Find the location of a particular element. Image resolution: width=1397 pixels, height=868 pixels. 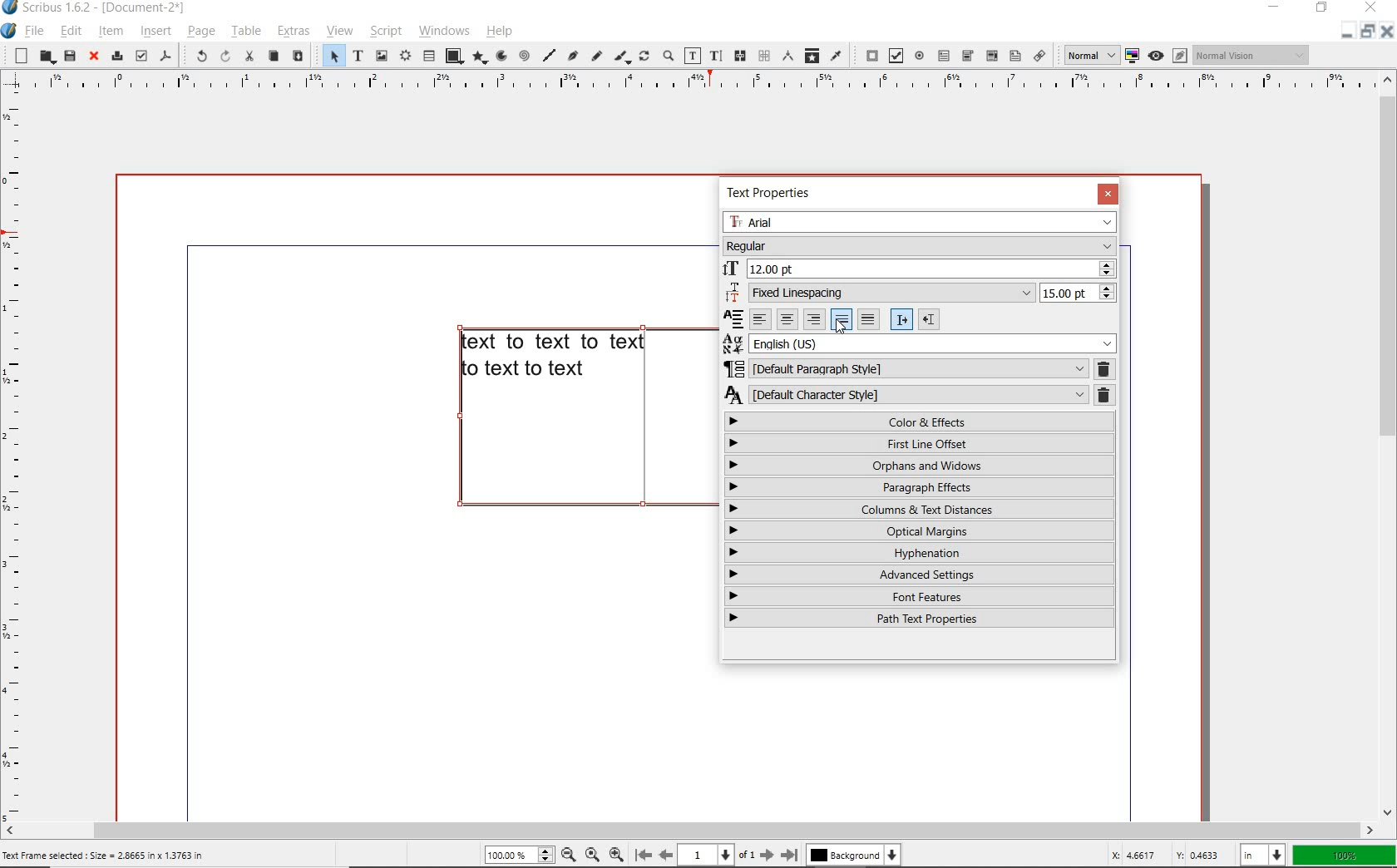

zoom level is located at coordinates (520, 855).